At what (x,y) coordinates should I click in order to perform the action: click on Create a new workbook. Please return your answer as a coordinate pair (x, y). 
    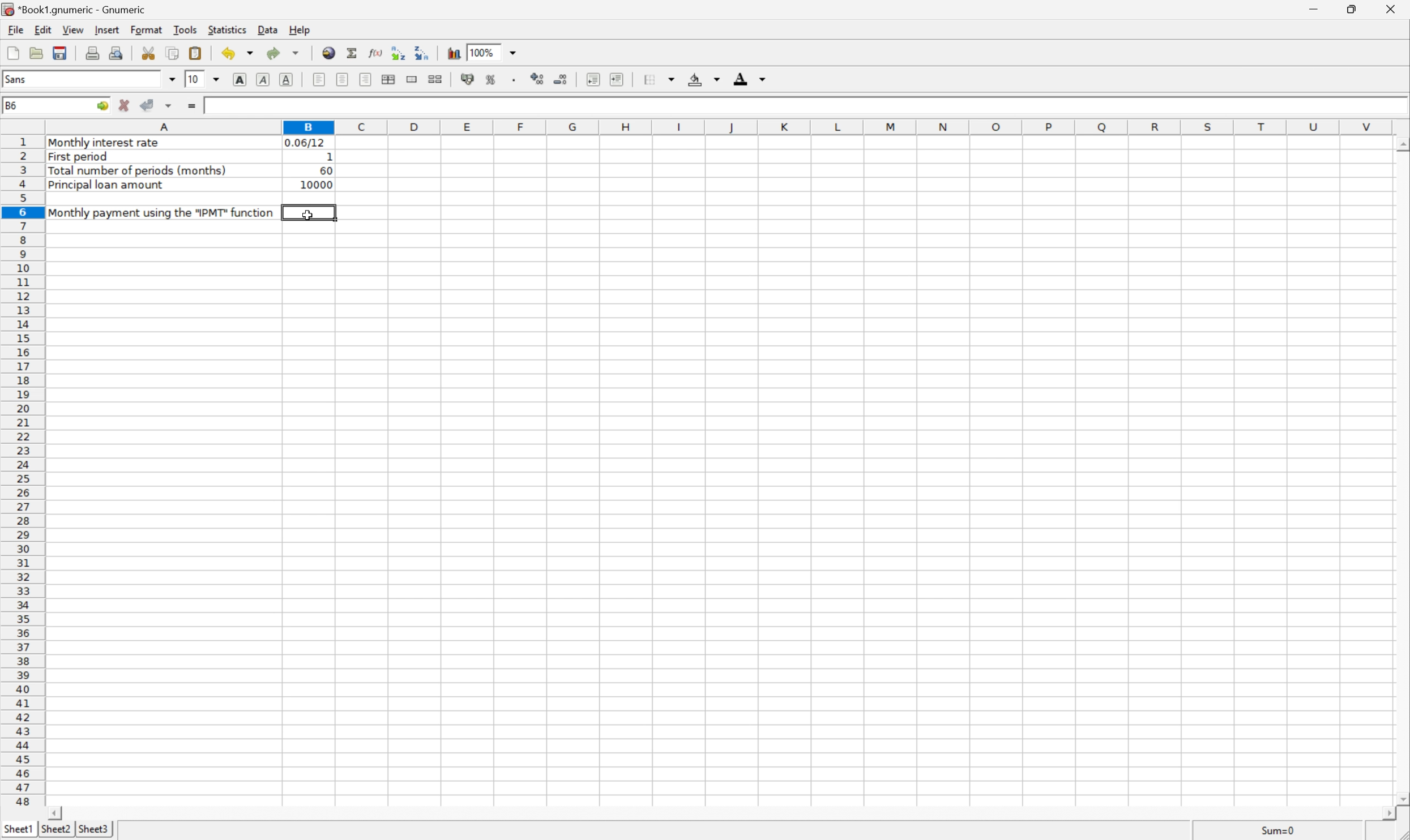
    Looking at the image, I should click on (11, 53).